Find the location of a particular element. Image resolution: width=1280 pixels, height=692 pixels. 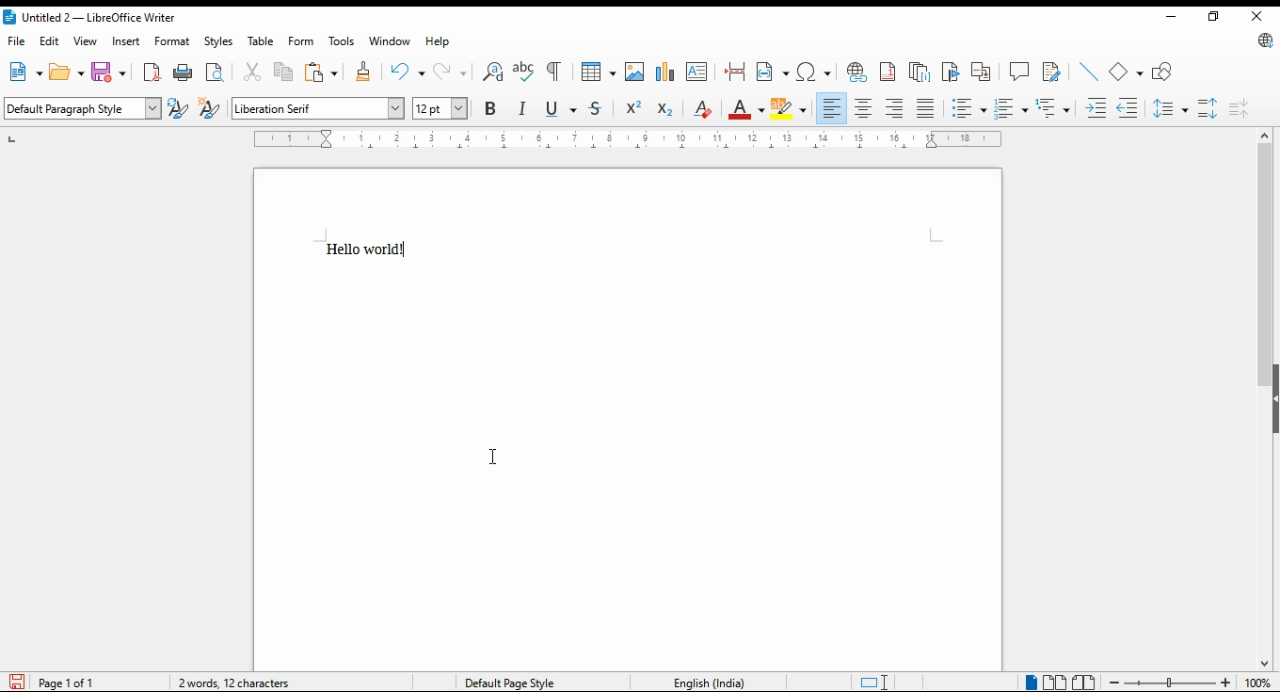

toggle print preview is located at coordinates (213, 71).